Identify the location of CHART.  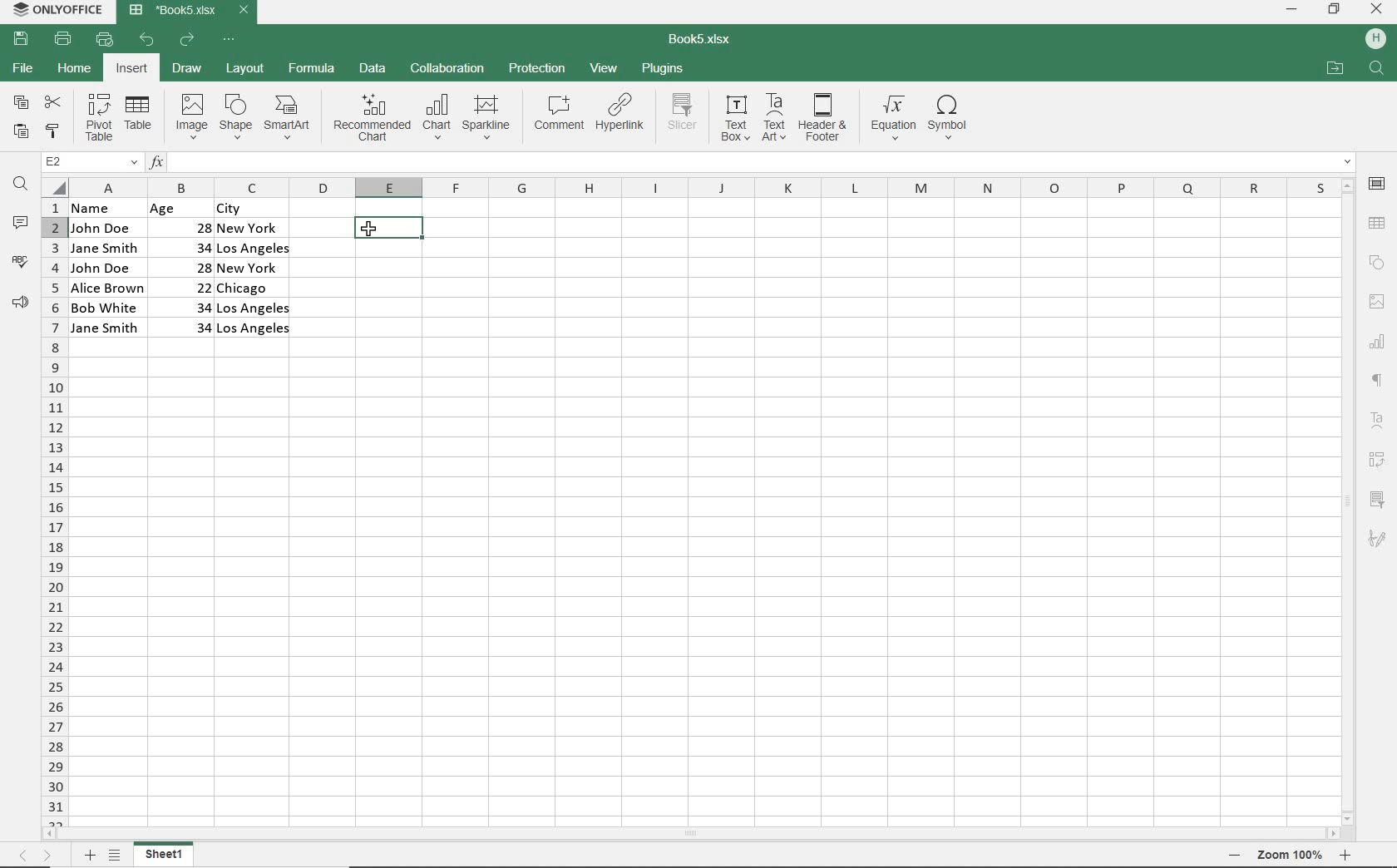
(436, 120).